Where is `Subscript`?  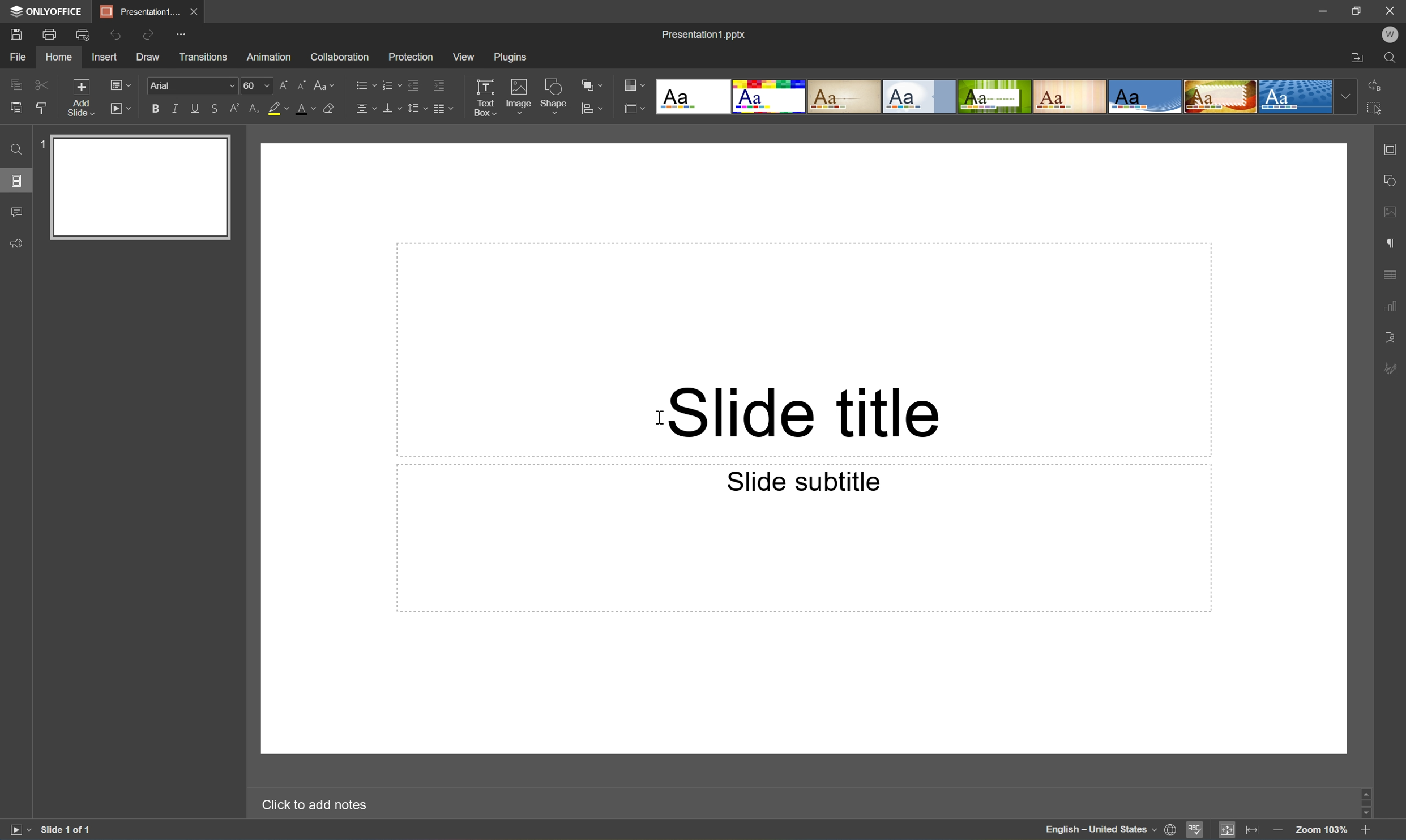
Subscript is located at coordinates (256, 110).